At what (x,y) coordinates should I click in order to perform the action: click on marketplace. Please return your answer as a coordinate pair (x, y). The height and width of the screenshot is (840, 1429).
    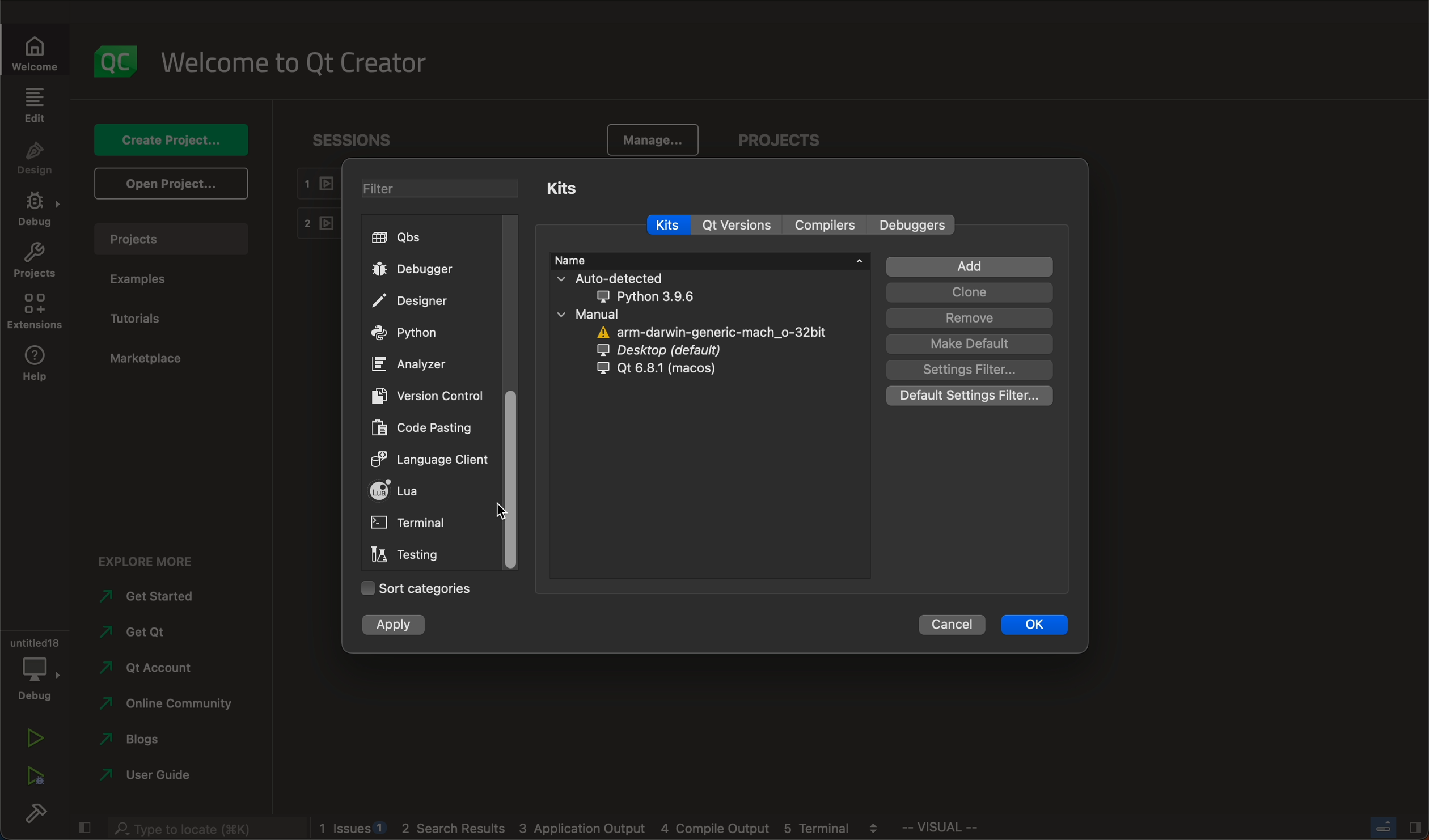
    Looking at the image, I should click on (152, 360).